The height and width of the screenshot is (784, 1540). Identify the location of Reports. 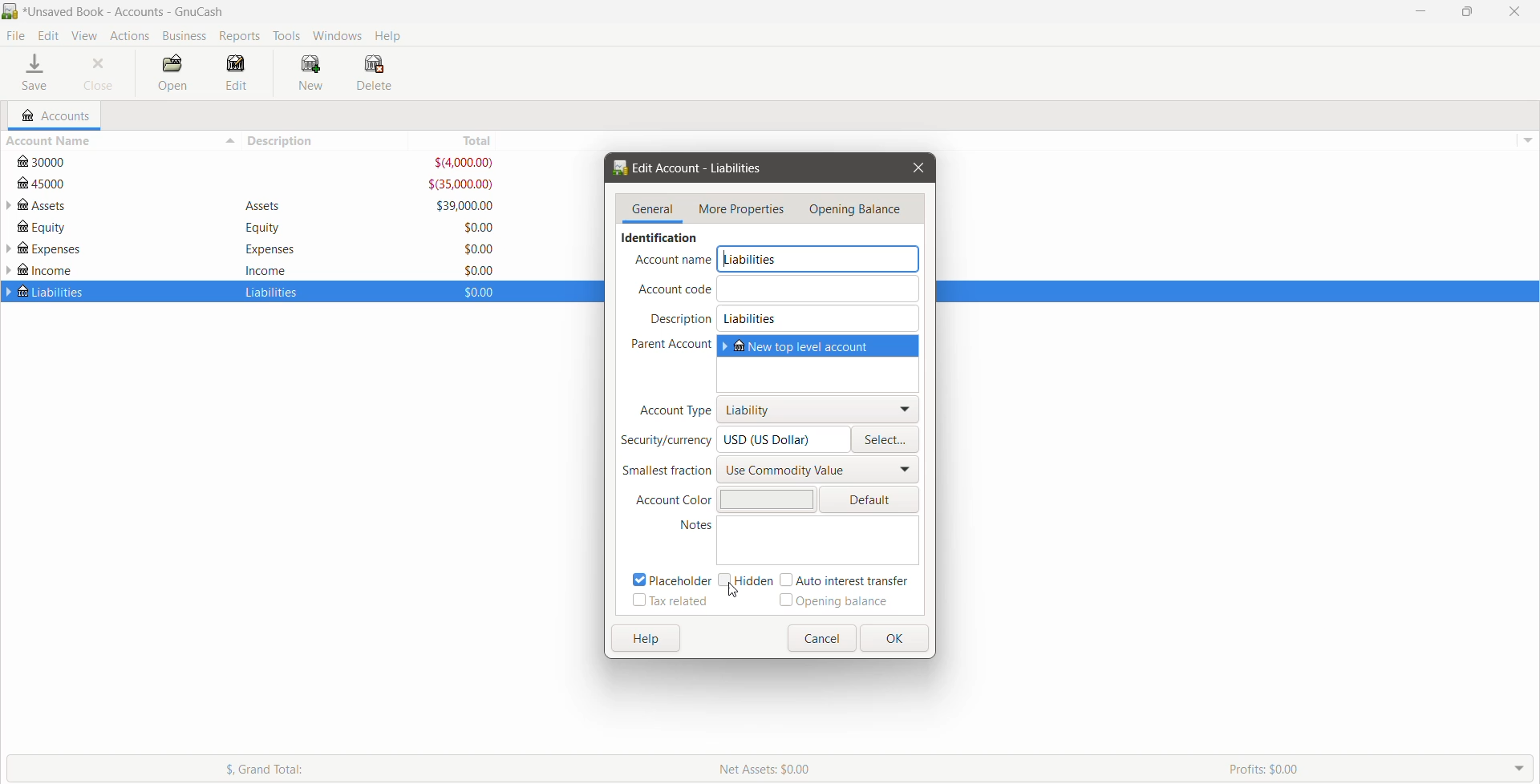
(241, 36).